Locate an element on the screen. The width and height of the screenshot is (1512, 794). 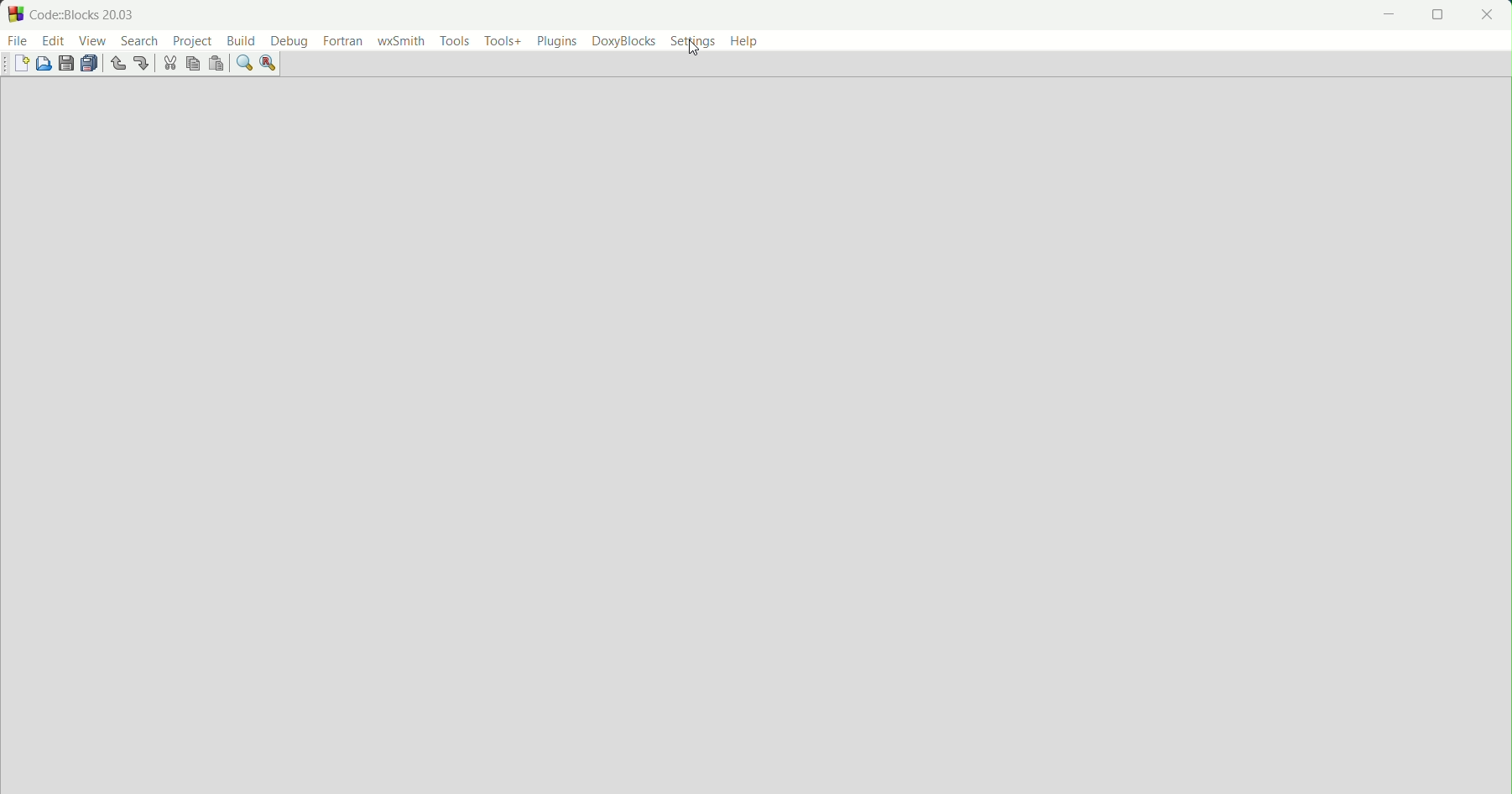
undo is located at coordinates (117, 64).